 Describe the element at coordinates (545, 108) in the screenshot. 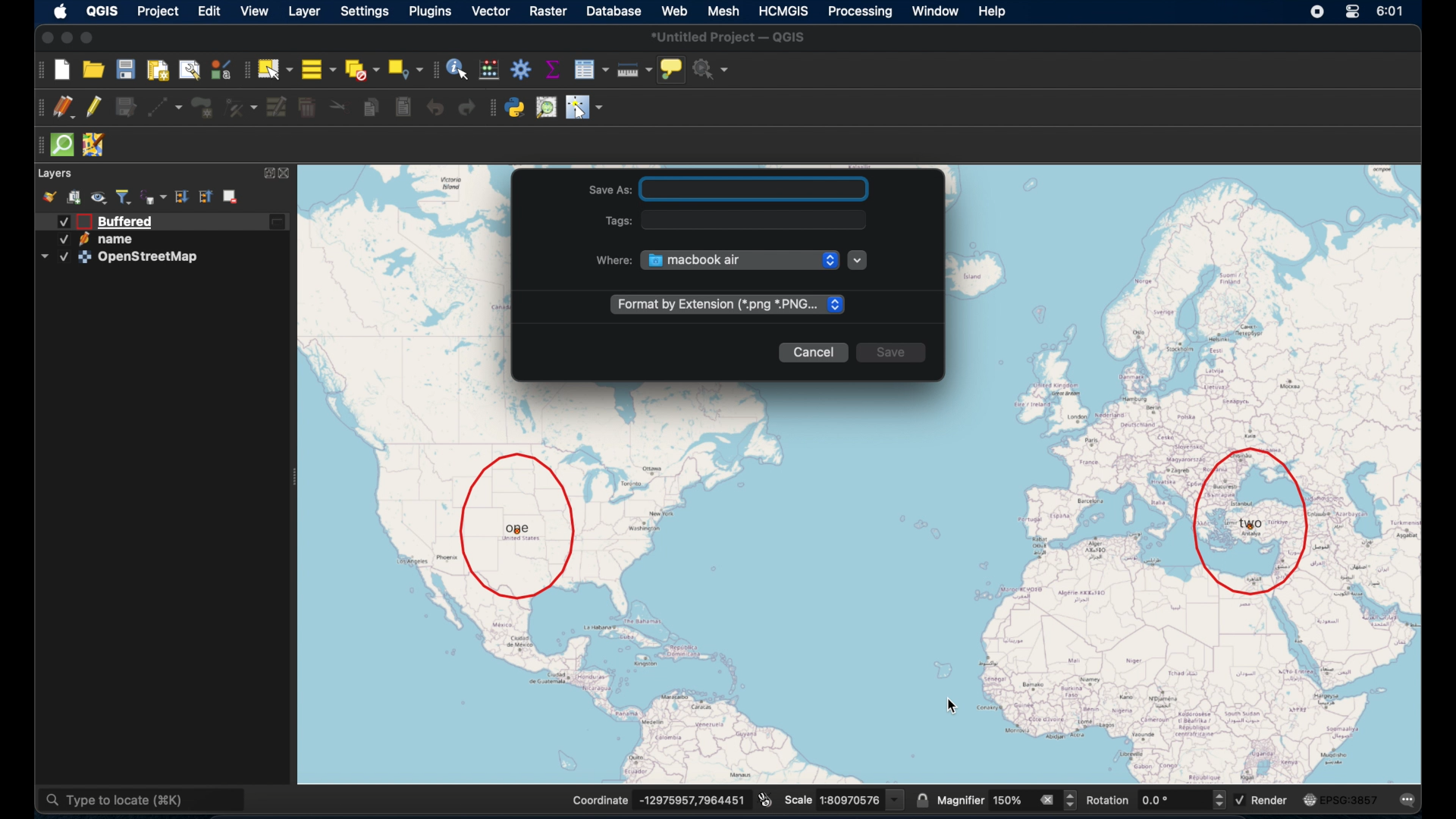

I see `osm place search` at that location.